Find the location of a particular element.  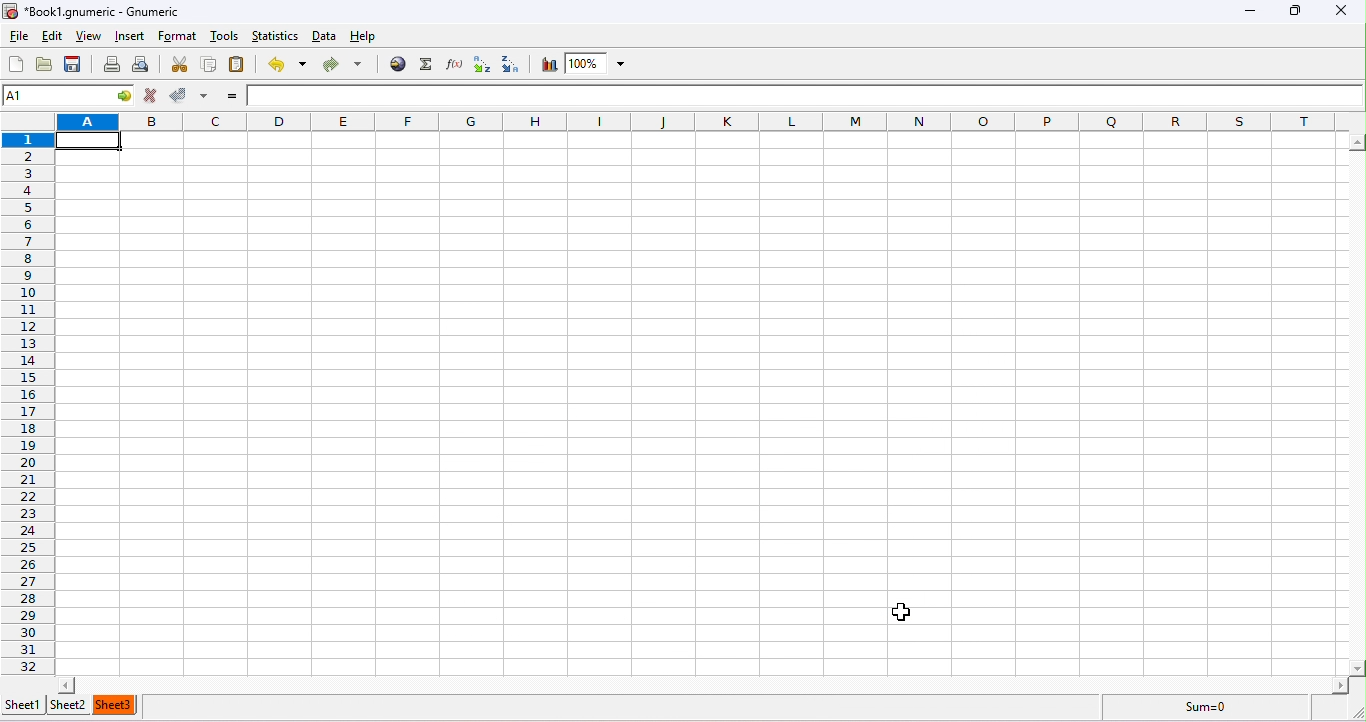

sort ascending order is located at coordinates (479, 63).